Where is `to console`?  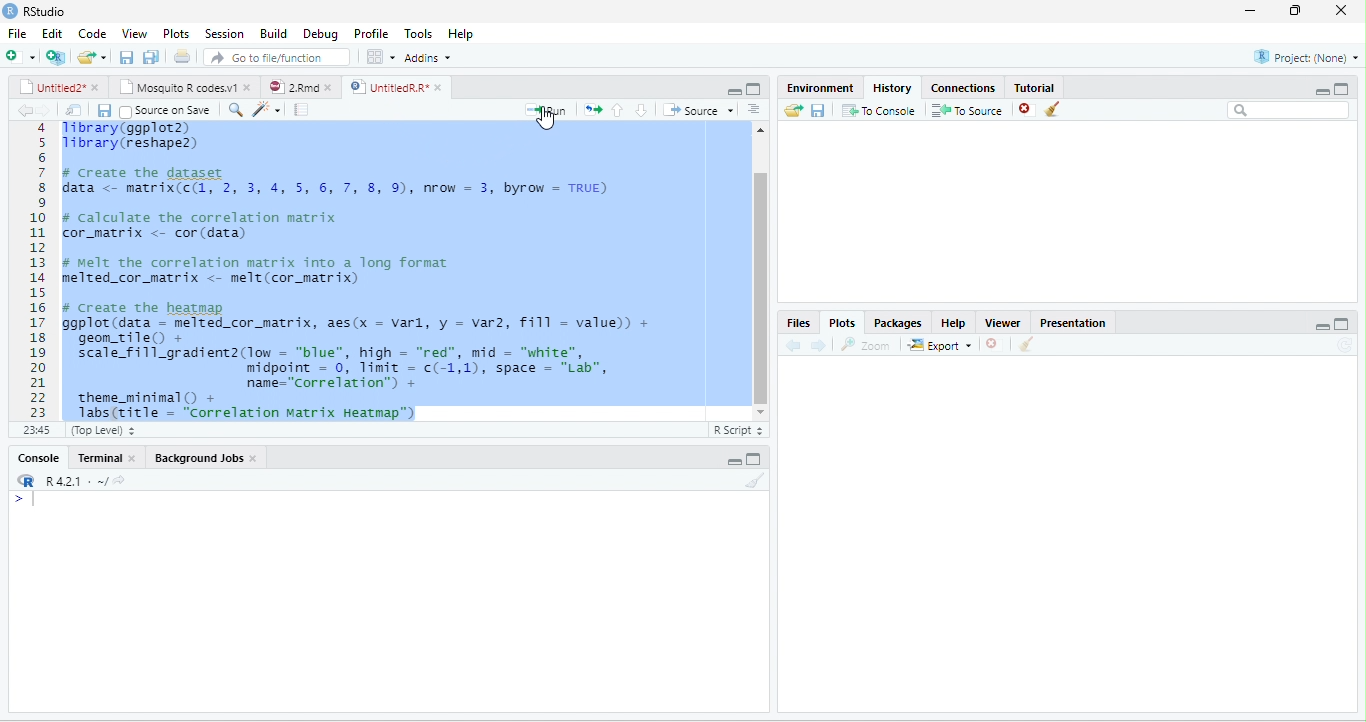 to console is located at coordinates (880, 112).